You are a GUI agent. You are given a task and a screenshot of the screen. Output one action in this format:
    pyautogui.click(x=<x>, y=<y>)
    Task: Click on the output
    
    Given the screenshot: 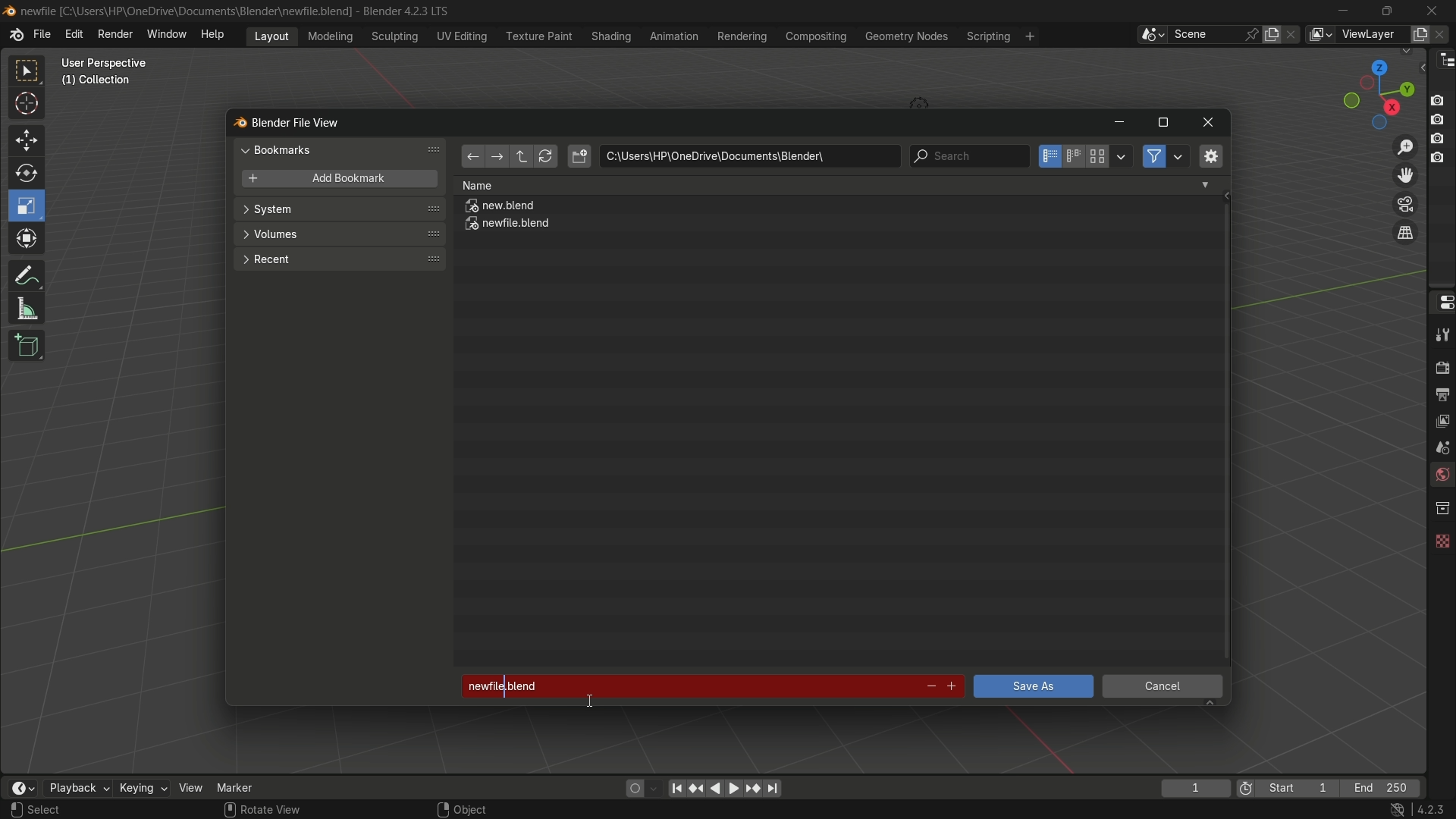 What is the action you would take?
    pyautogui.click(x=1442, y=394)
    